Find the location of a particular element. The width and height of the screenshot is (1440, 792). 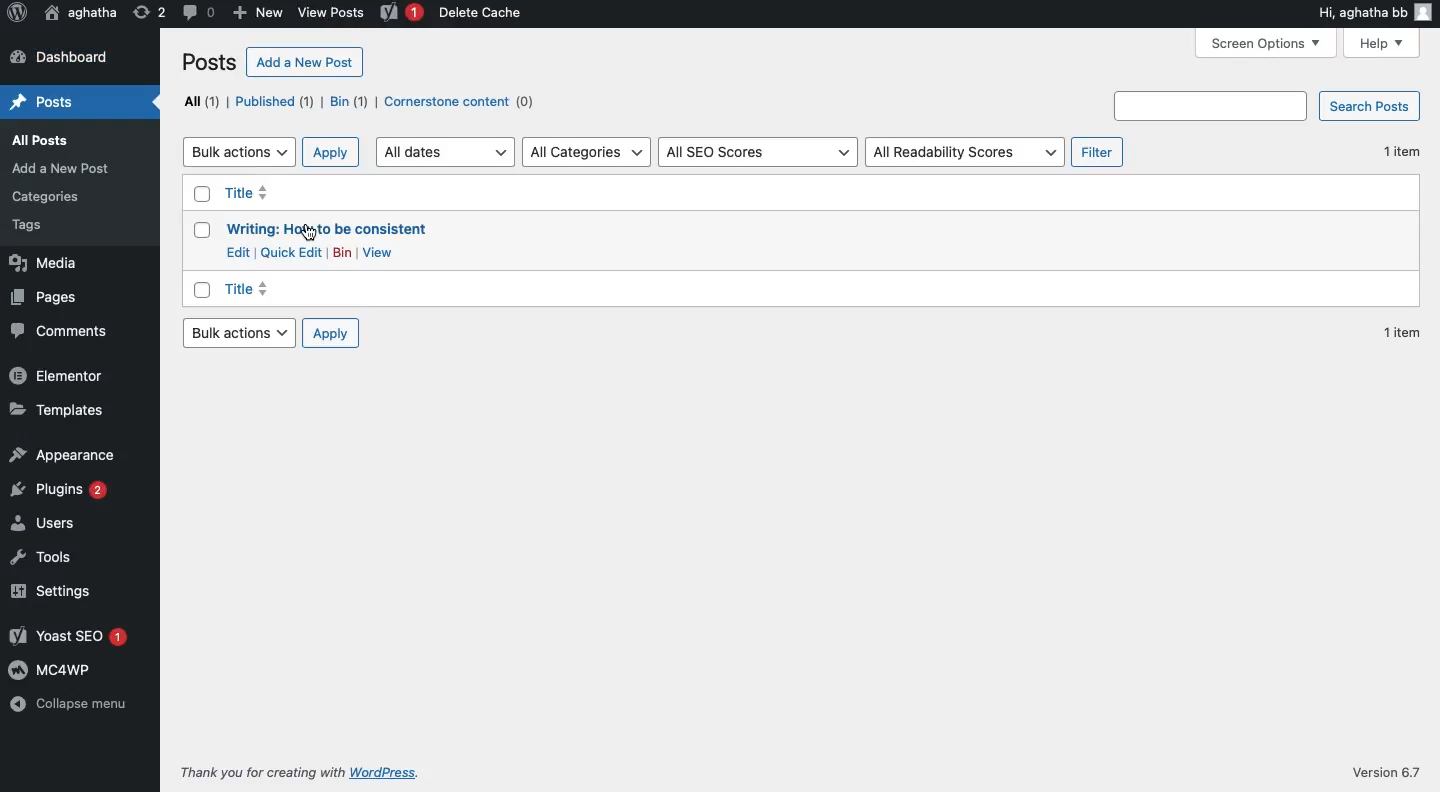

Quick Edit is located at coordinates (293, 253).